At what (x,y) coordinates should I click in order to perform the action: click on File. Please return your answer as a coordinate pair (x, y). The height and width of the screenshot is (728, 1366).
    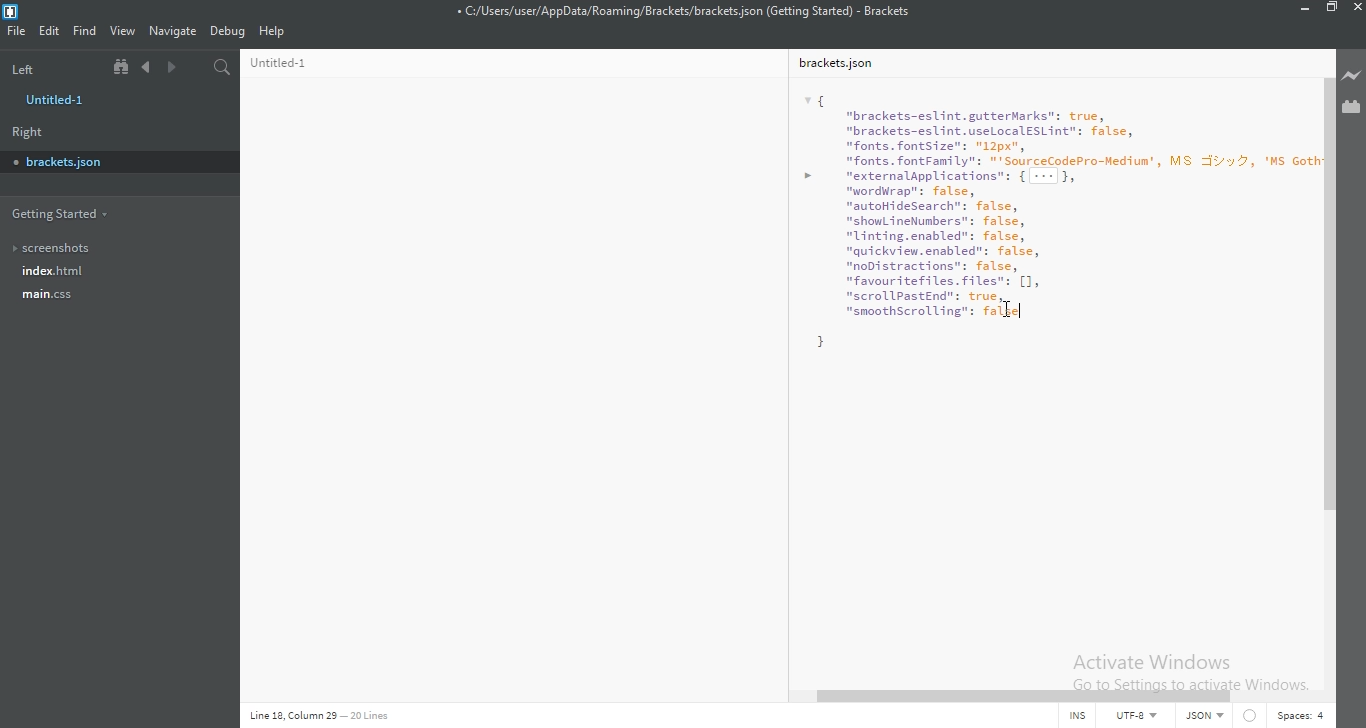
    Looking at the image, I should click on (17, 31).